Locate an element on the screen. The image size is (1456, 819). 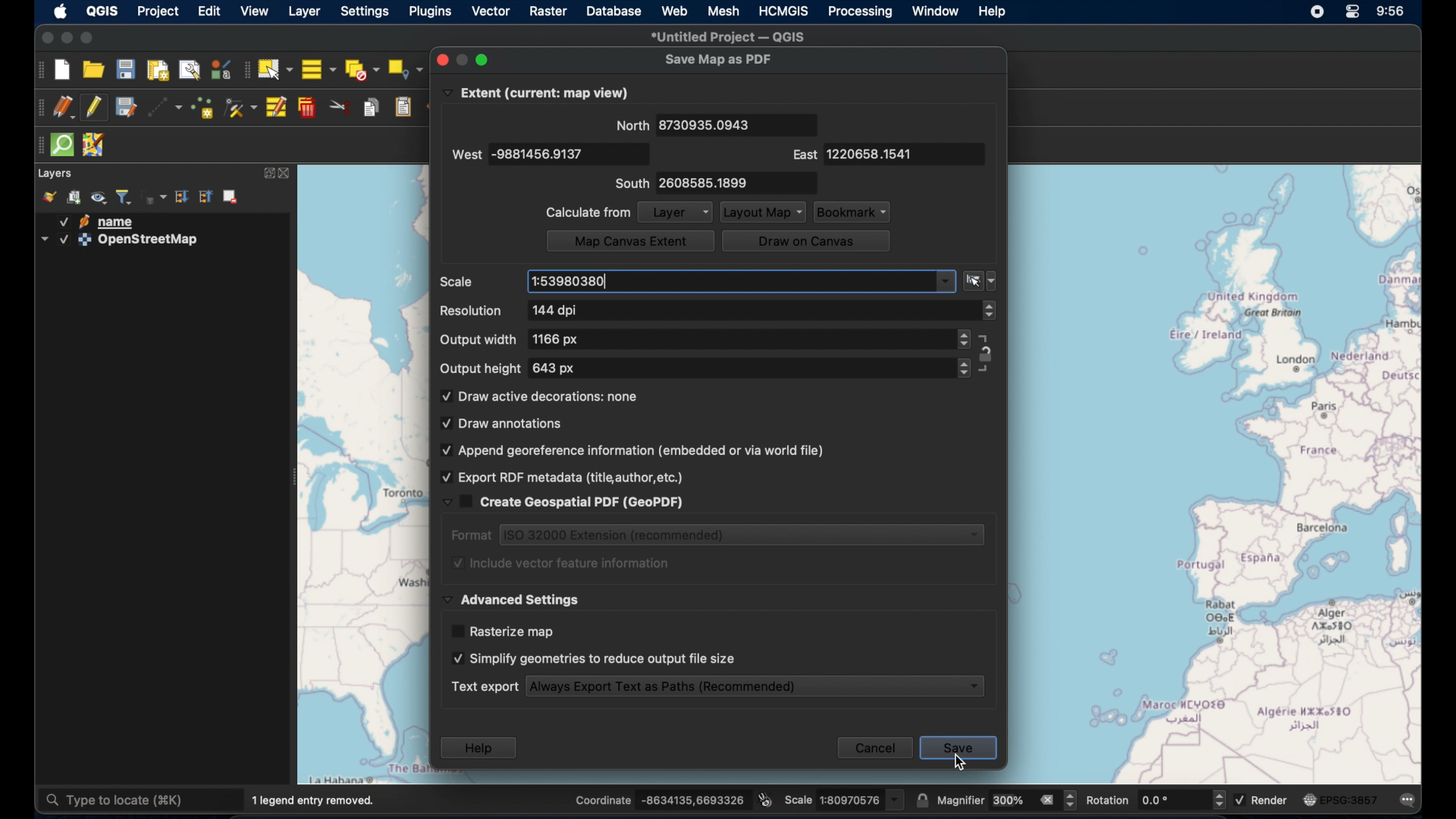
8730935.0943 is located at coordinates (706, 125).